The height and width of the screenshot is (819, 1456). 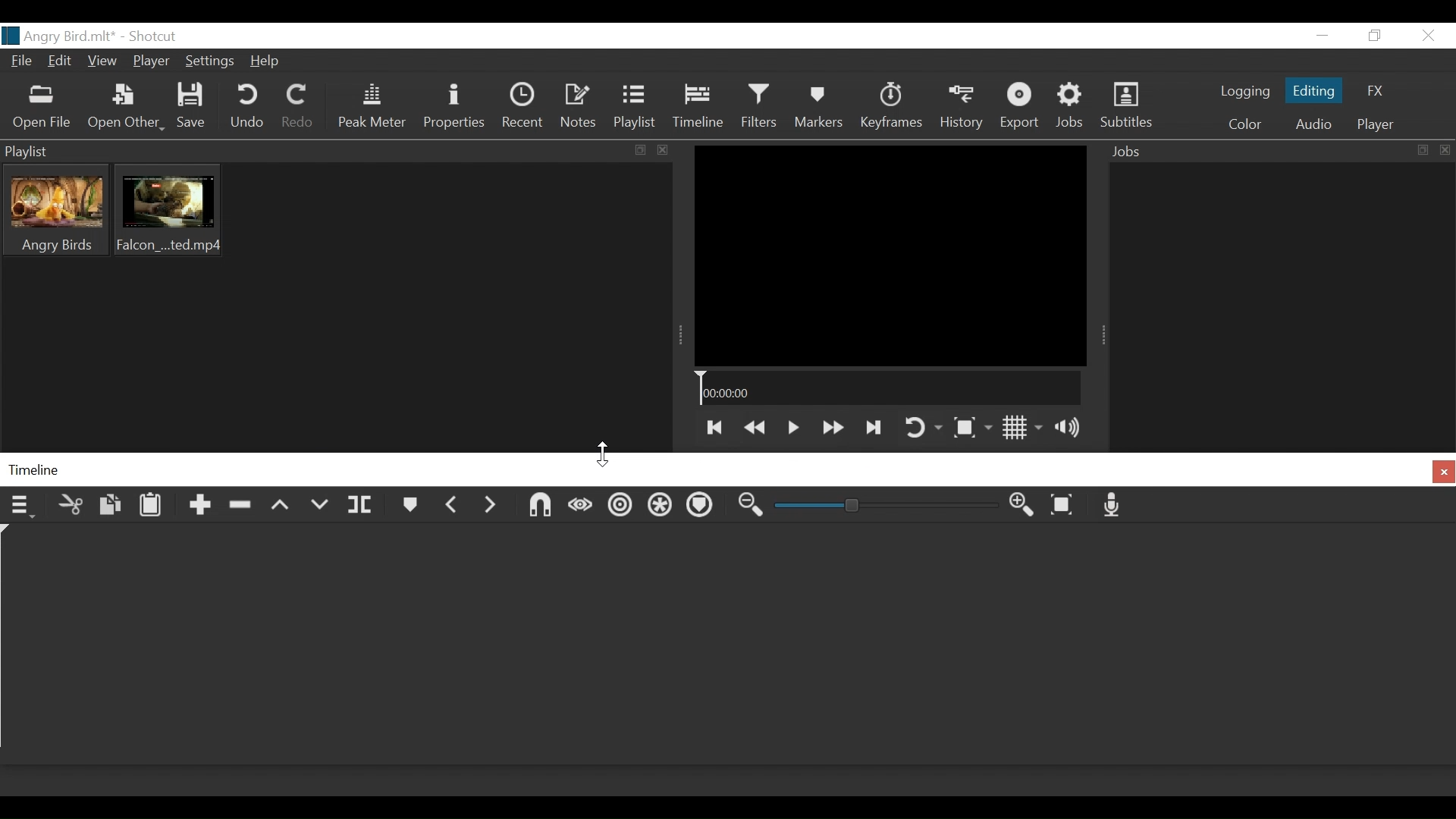 What do you see at coordinates (58, 36) in the screenshot?
I see `File name` at bounding box center [58, 36].